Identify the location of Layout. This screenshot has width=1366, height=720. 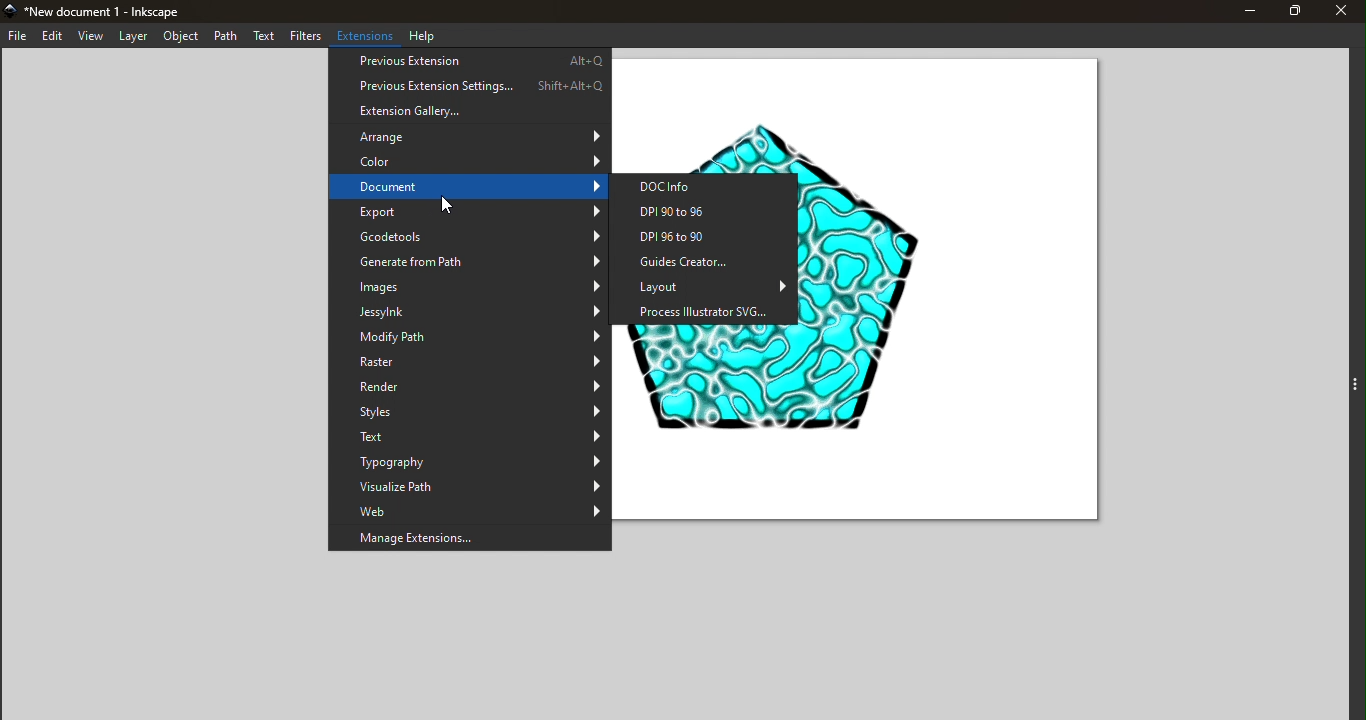
(709, 287).